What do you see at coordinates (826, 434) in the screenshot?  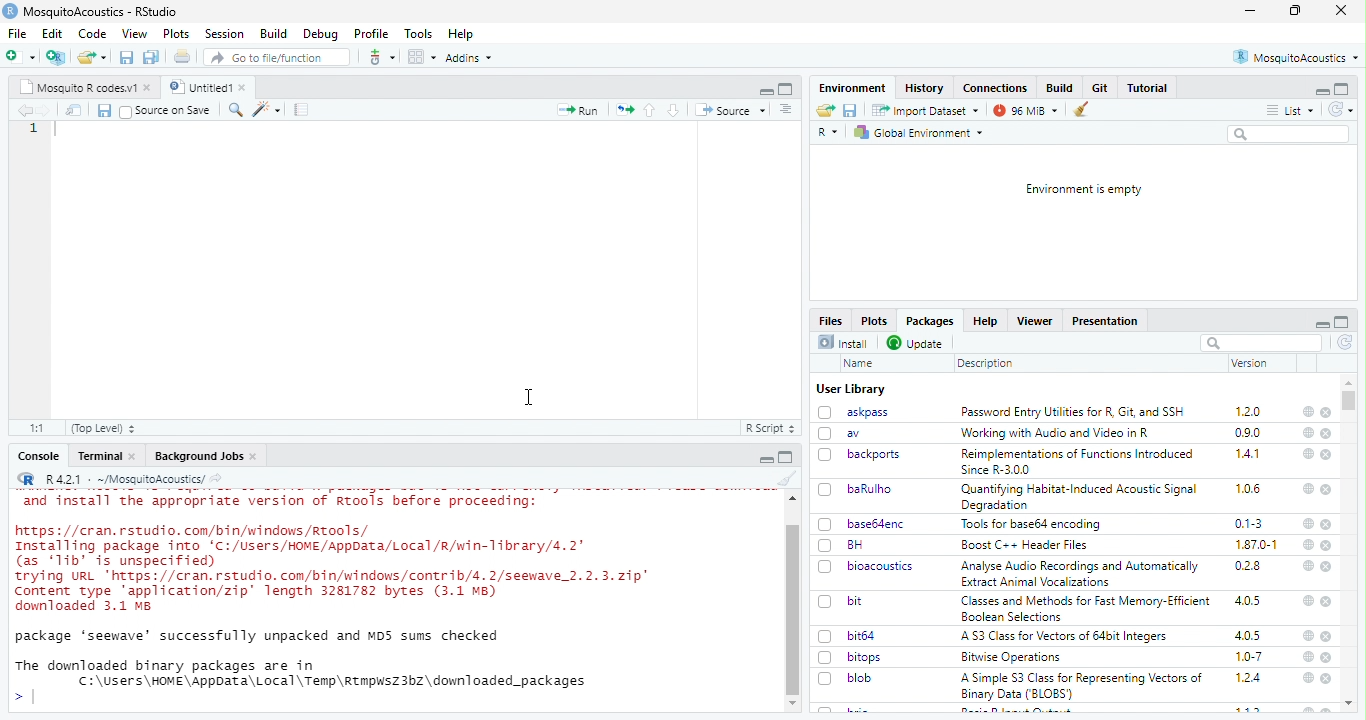 I see `checkbox` at bounding box center [826, 434].